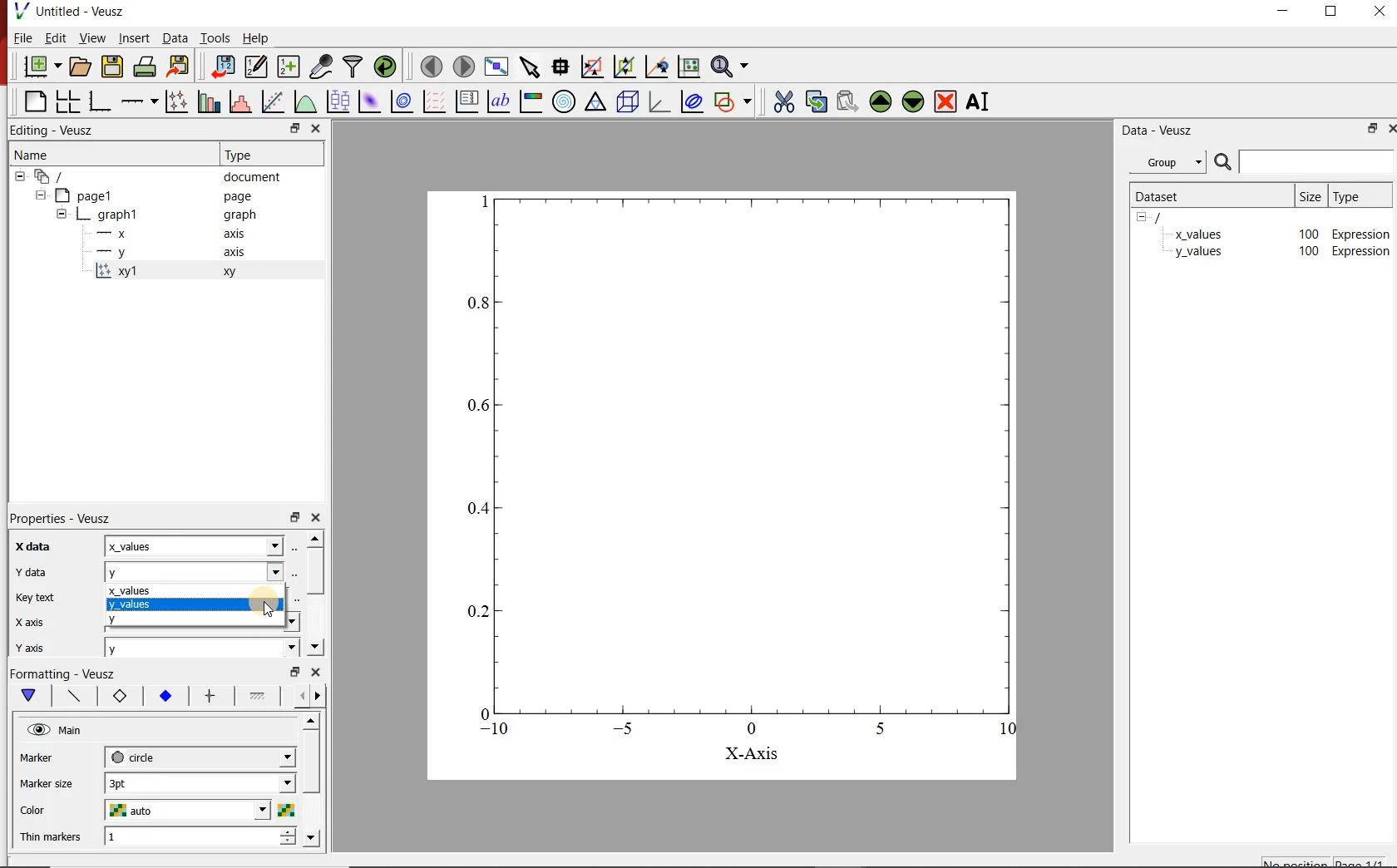 This screenshot has width=1397, height=868. I want to click on | Y ais, so click(37, 649).